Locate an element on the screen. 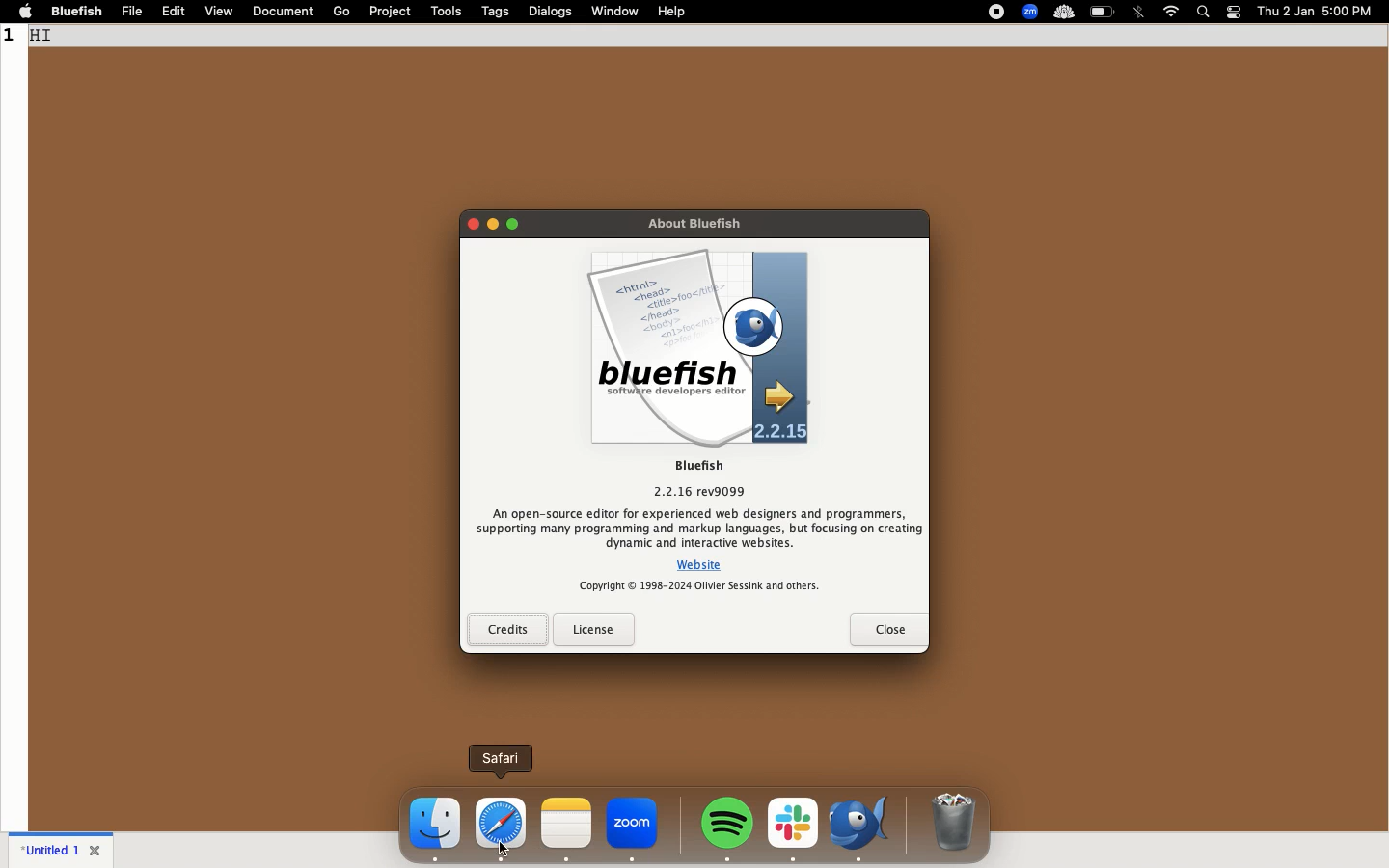 This screenshot has height=868, width=1389. edit is located at coordinates (176, 12).